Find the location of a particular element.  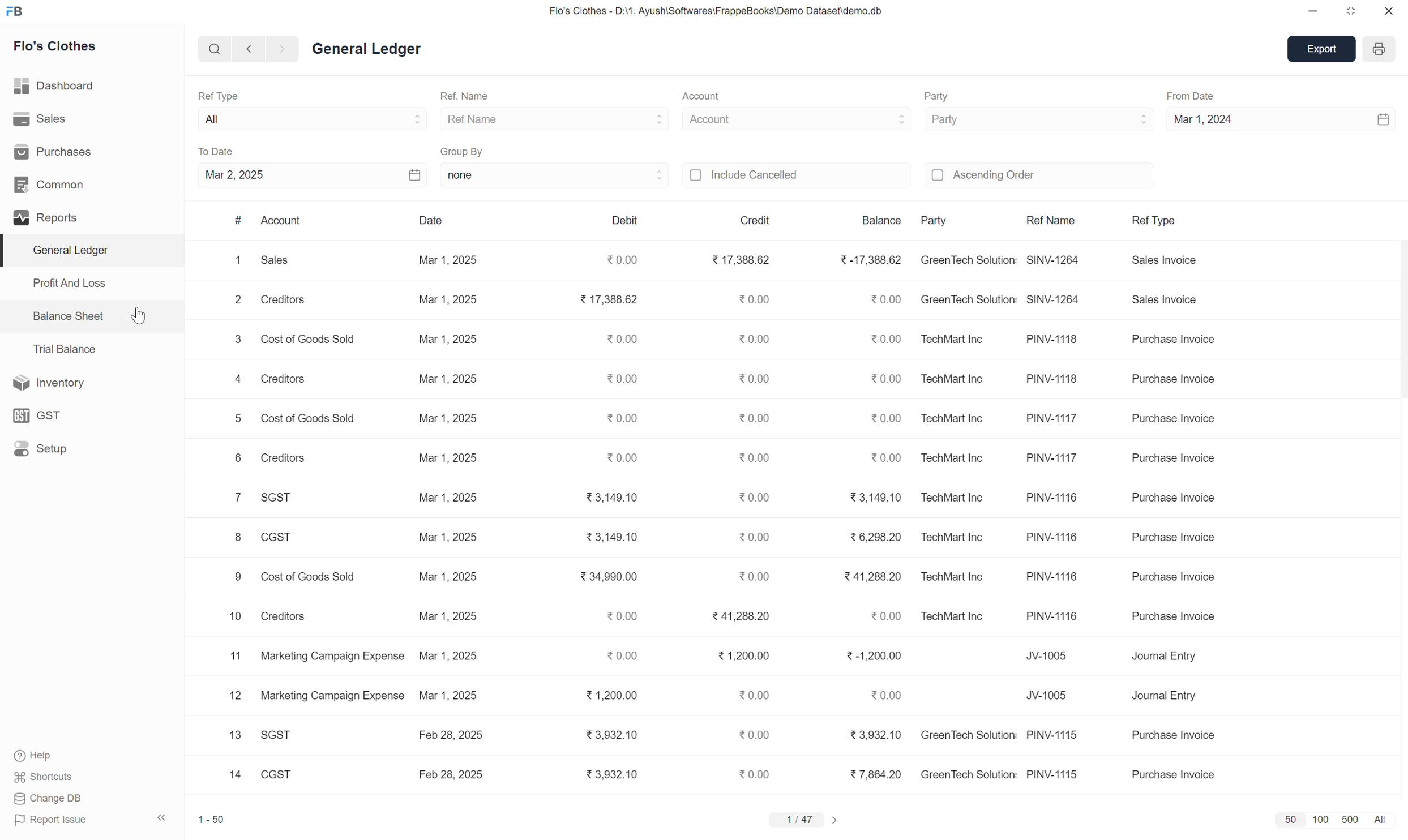

0.00 is located at coordinates (747, 734).